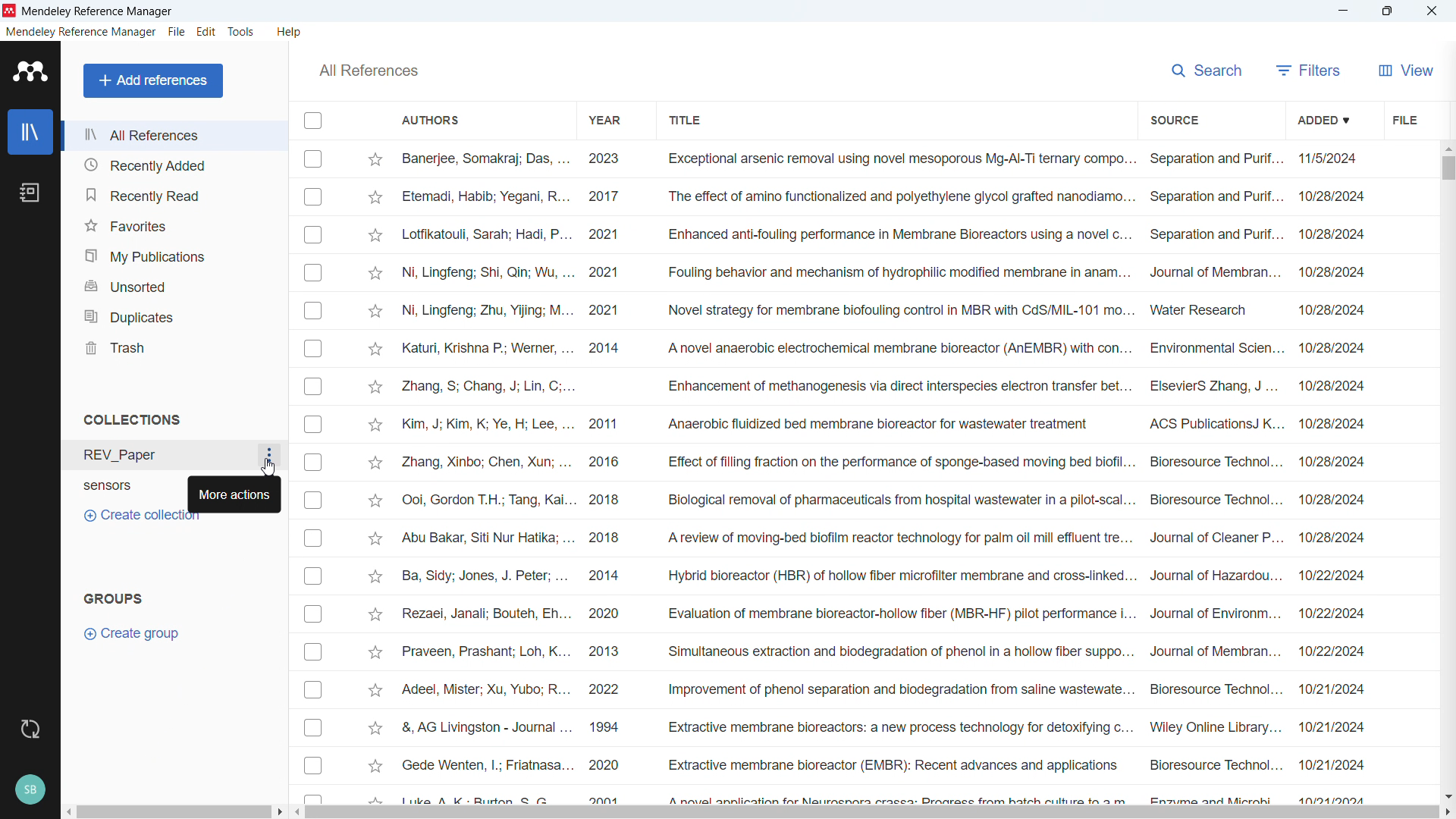  Describe the element at coordinates (31, 730) in the screenshot. I see `Sync ` at that location.